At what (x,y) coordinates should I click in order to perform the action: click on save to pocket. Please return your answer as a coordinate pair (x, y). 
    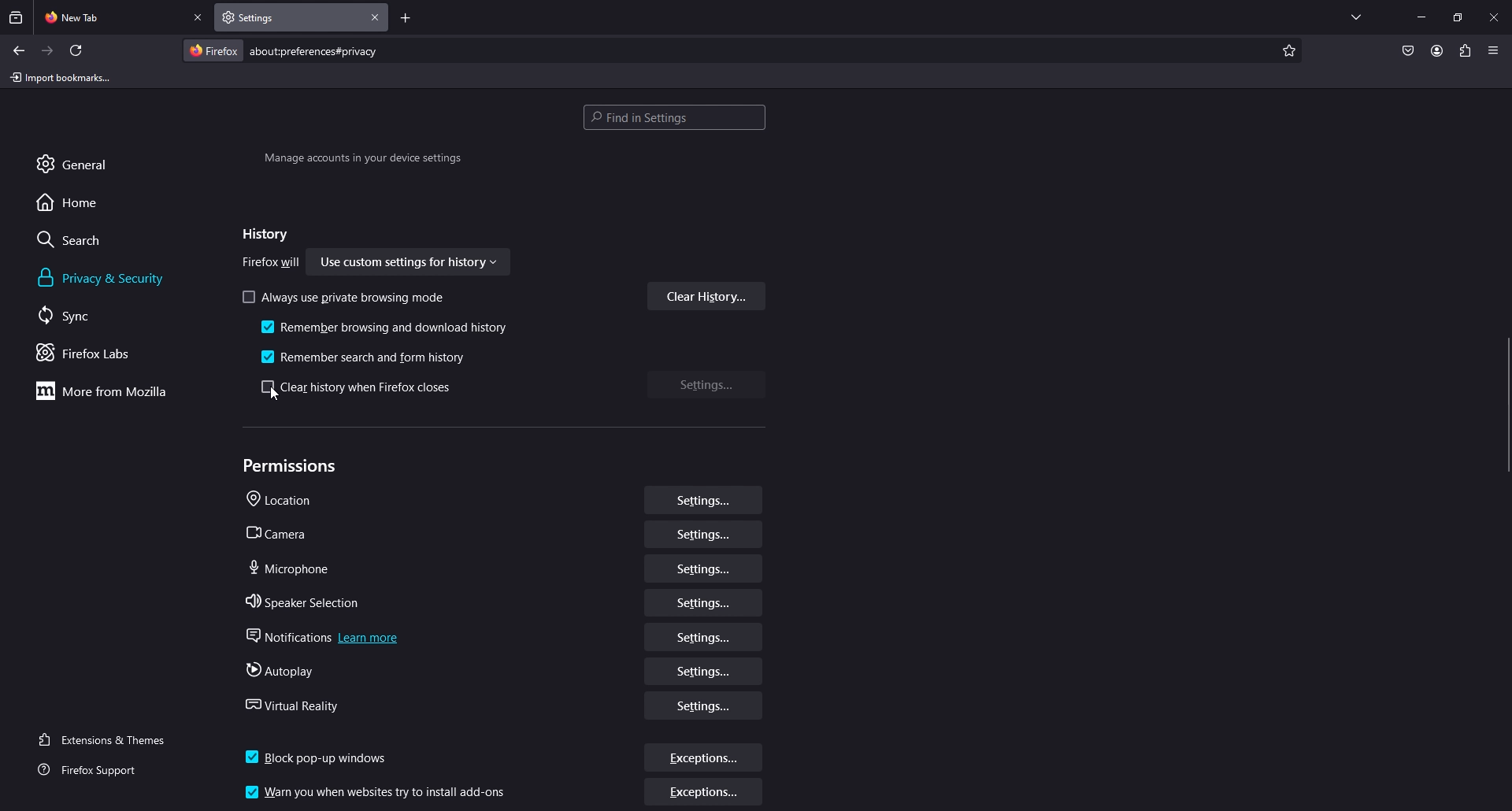
    Looking at the image, I should click on (1407, 52).